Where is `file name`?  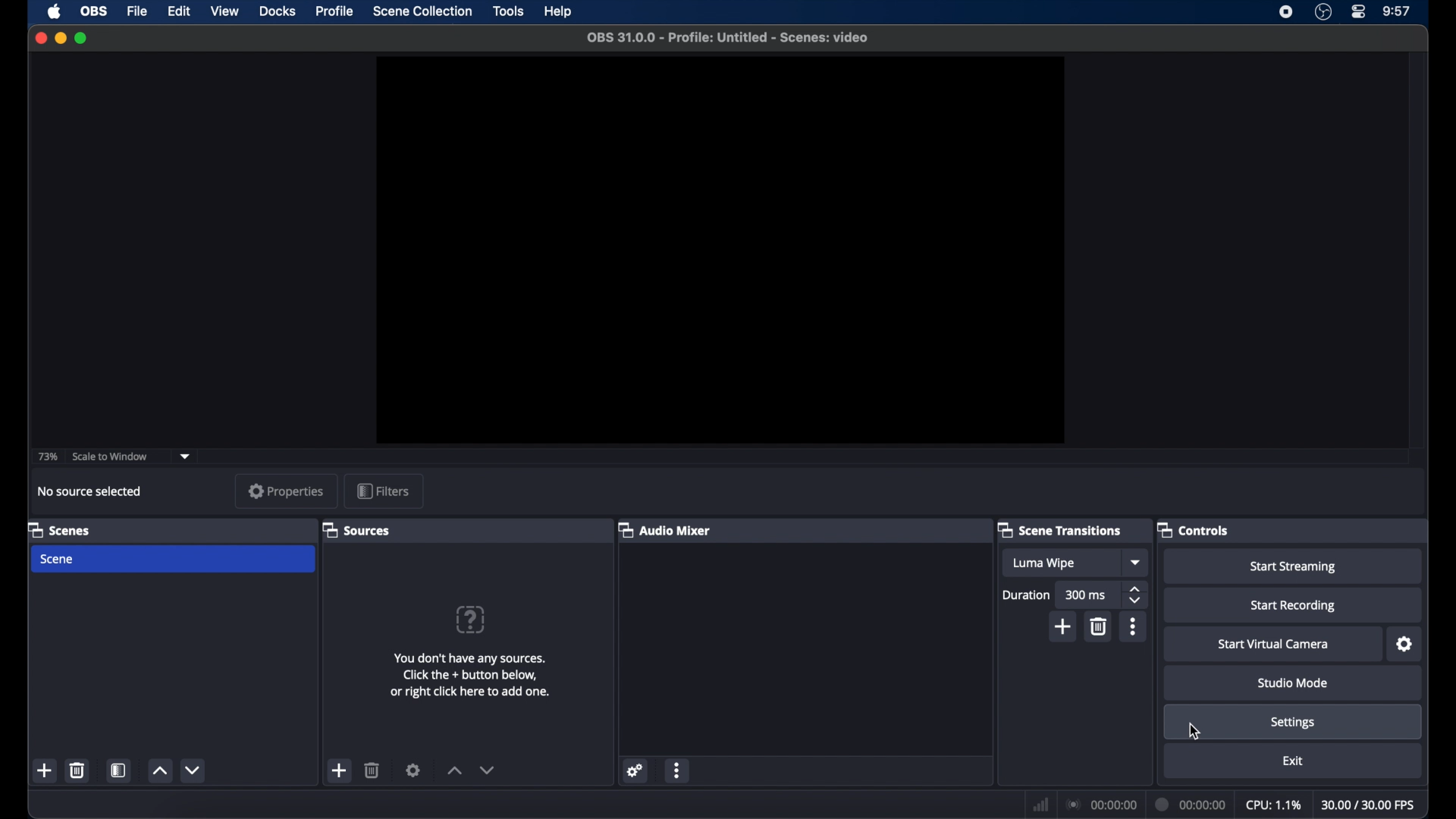
file name is located at coordinates (730, 38).